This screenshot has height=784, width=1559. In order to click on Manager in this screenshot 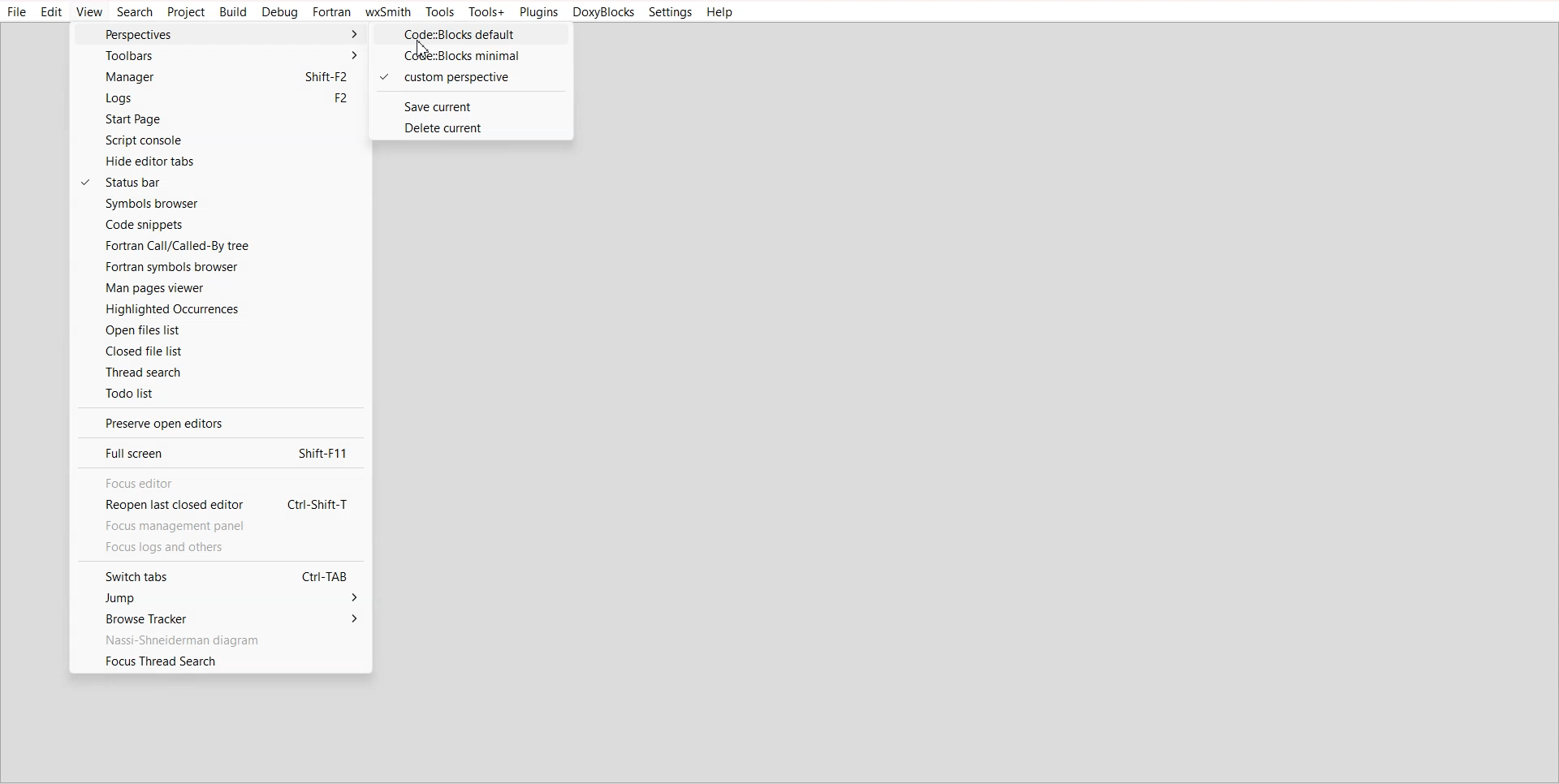, I will do `click(216, 77)`.